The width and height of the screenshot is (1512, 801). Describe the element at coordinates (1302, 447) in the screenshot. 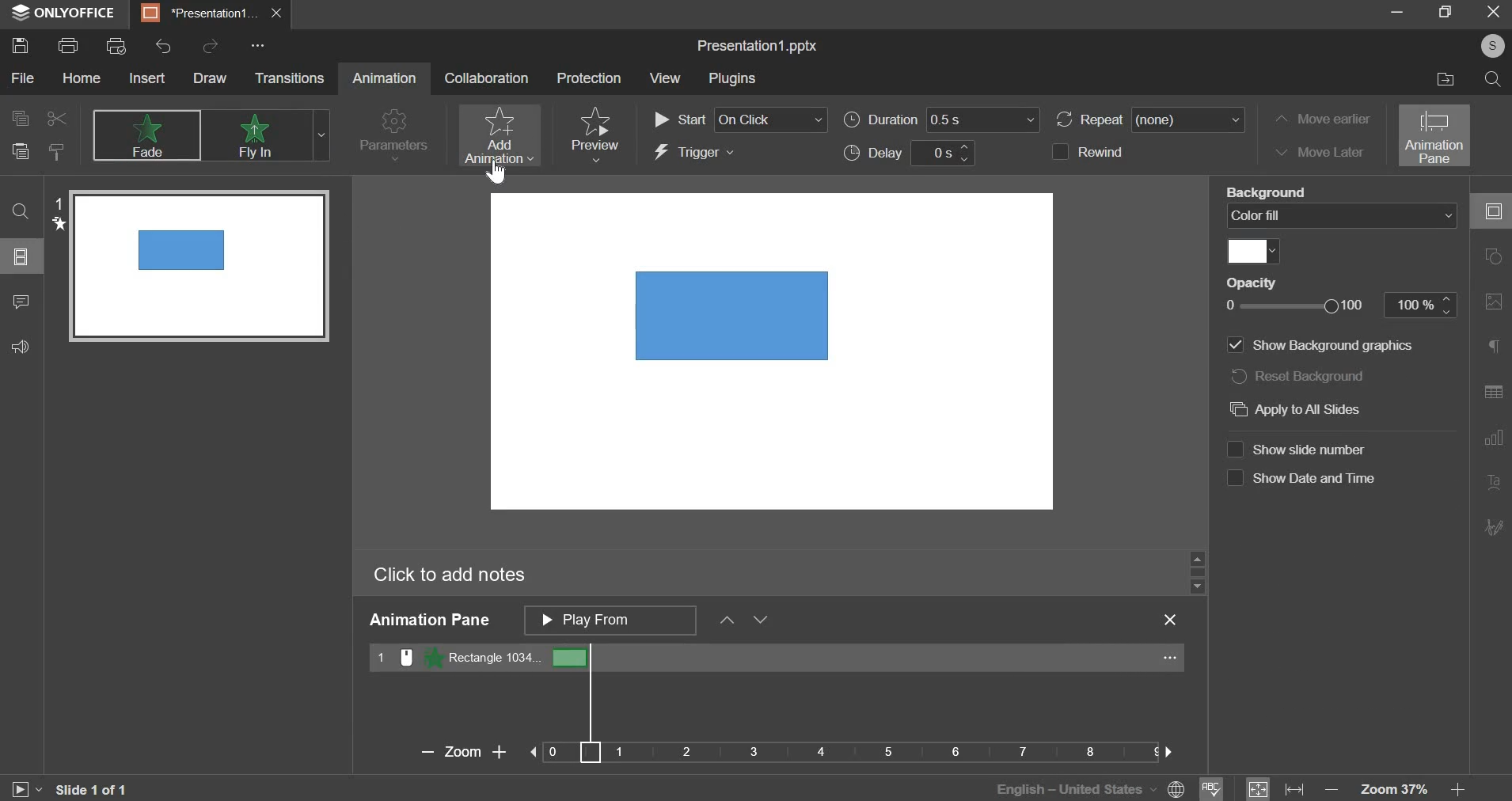

I see `Show slide number` at that location.